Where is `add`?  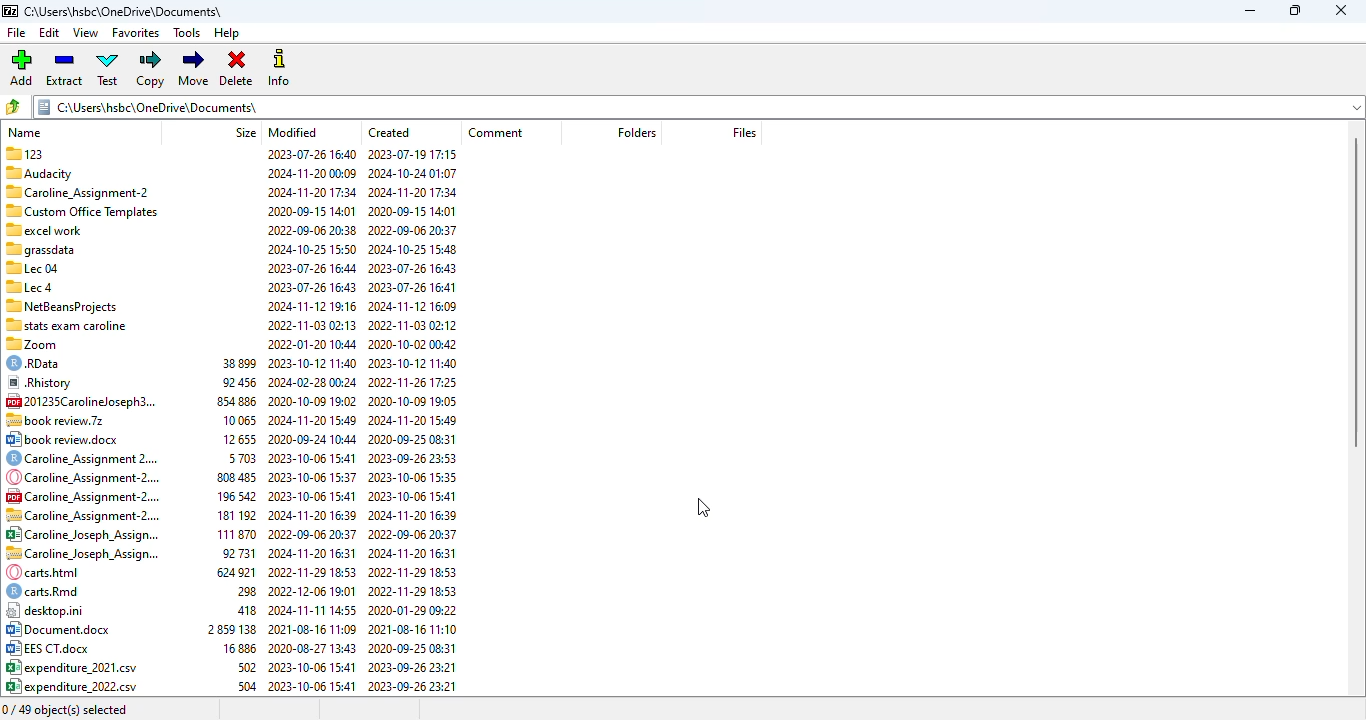 add is located at coordinates (20, 68).